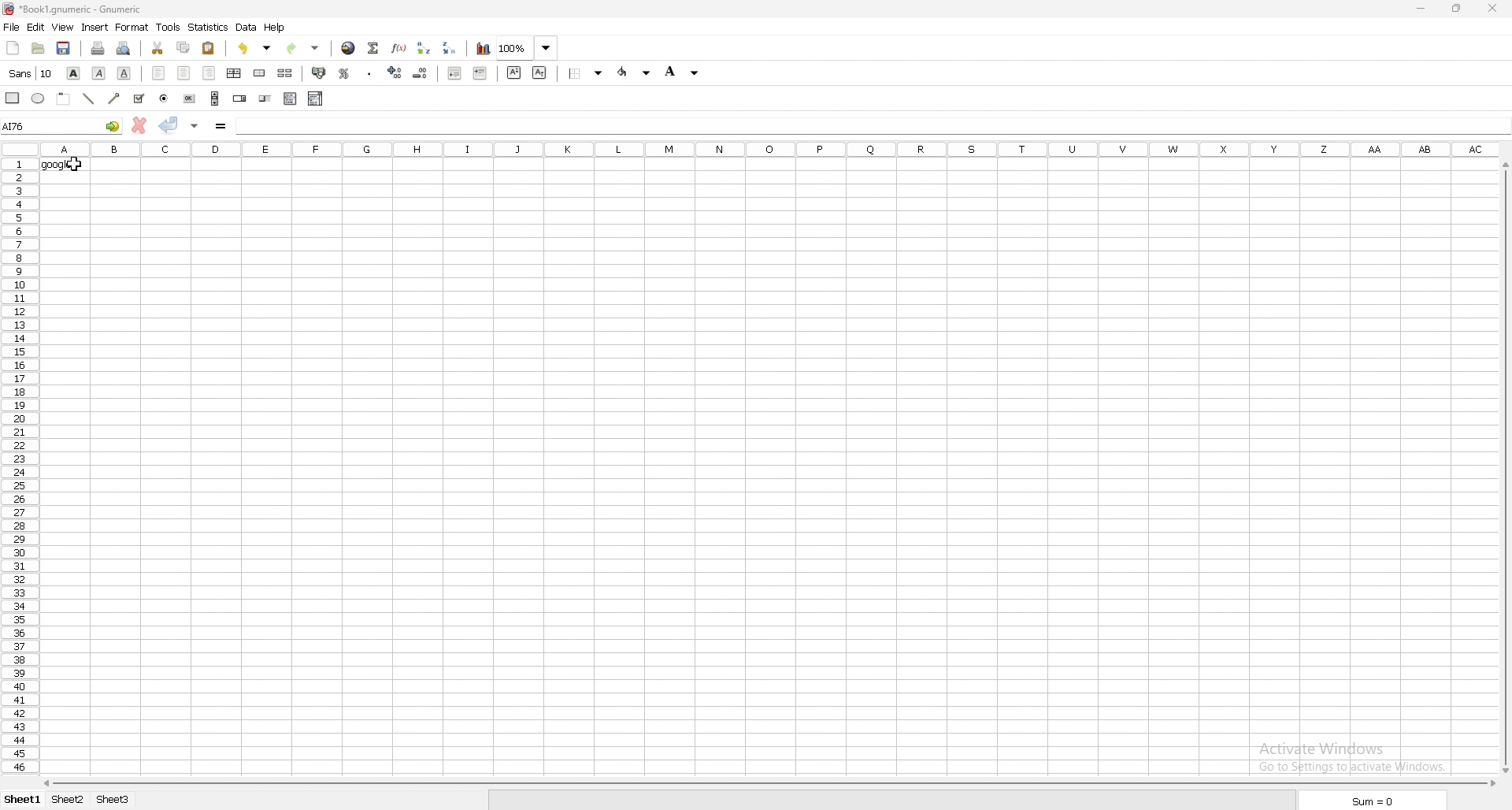 The image size is (1512, 810). Describe the element at coordinates (132, 27) in the screenshot. I see `format` at that location.